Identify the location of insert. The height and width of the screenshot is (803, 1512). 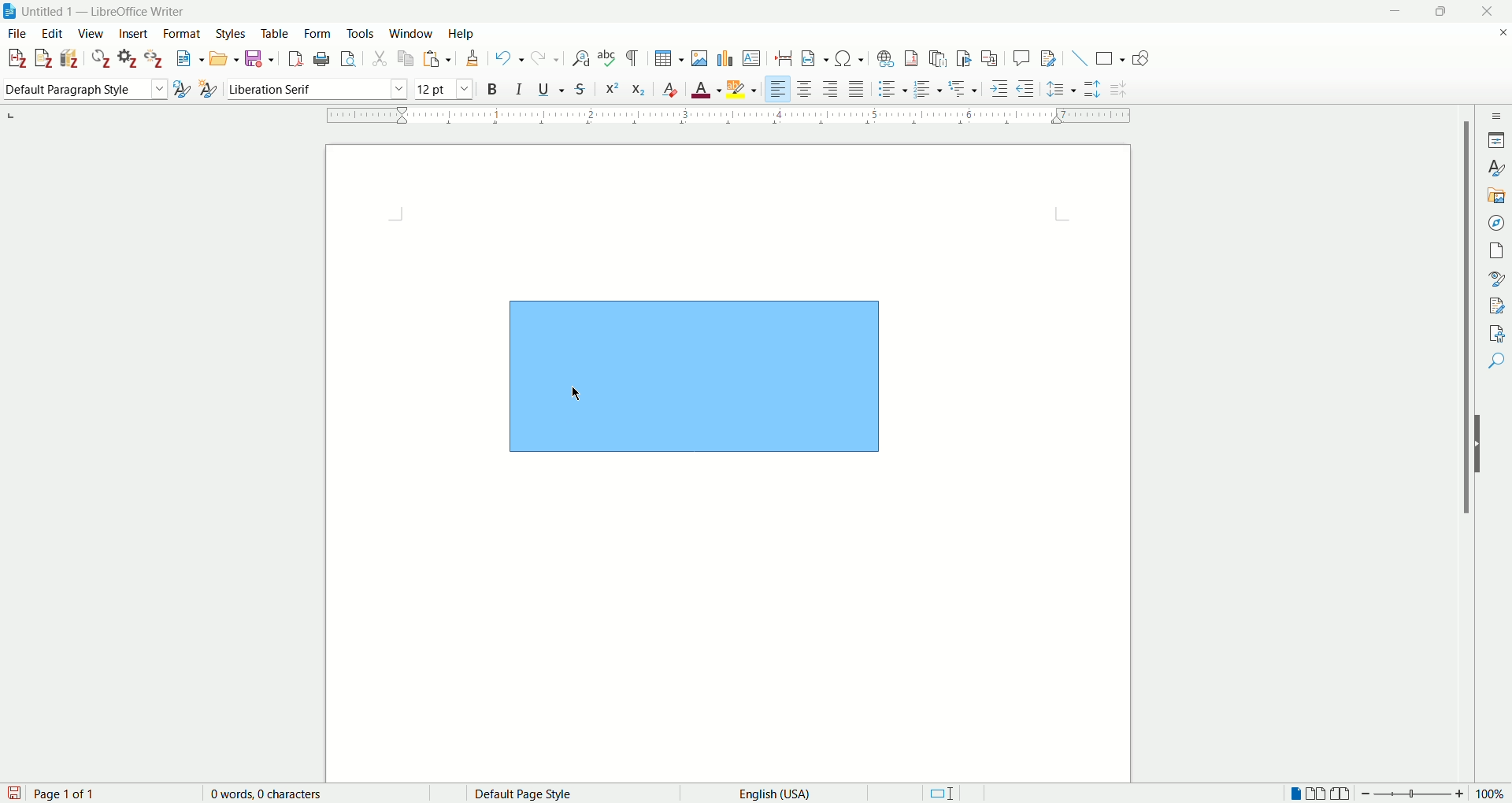
(135, 34).